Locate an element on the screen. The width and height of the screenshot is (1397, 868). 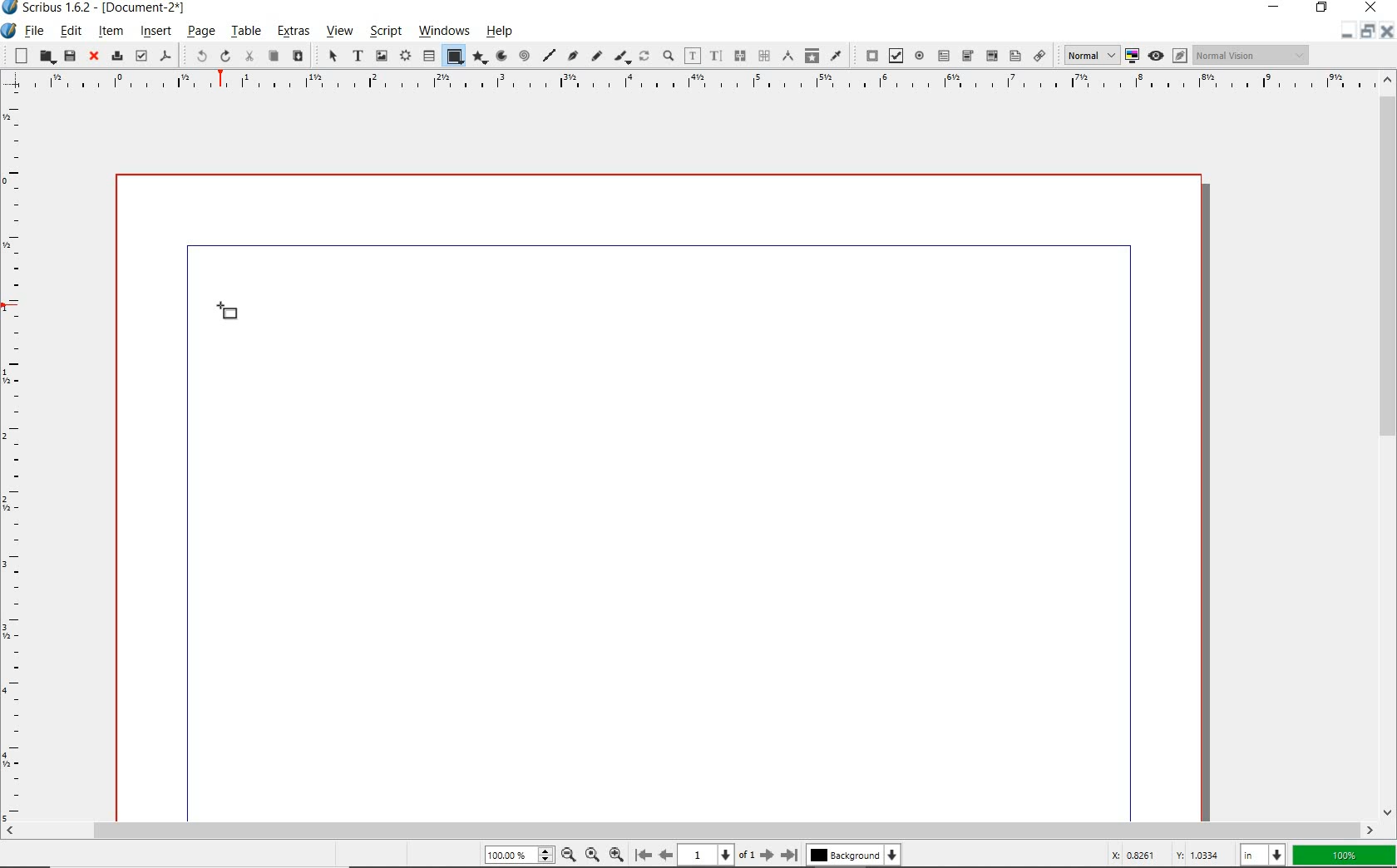
image frame is located at coordinates (381, 56).